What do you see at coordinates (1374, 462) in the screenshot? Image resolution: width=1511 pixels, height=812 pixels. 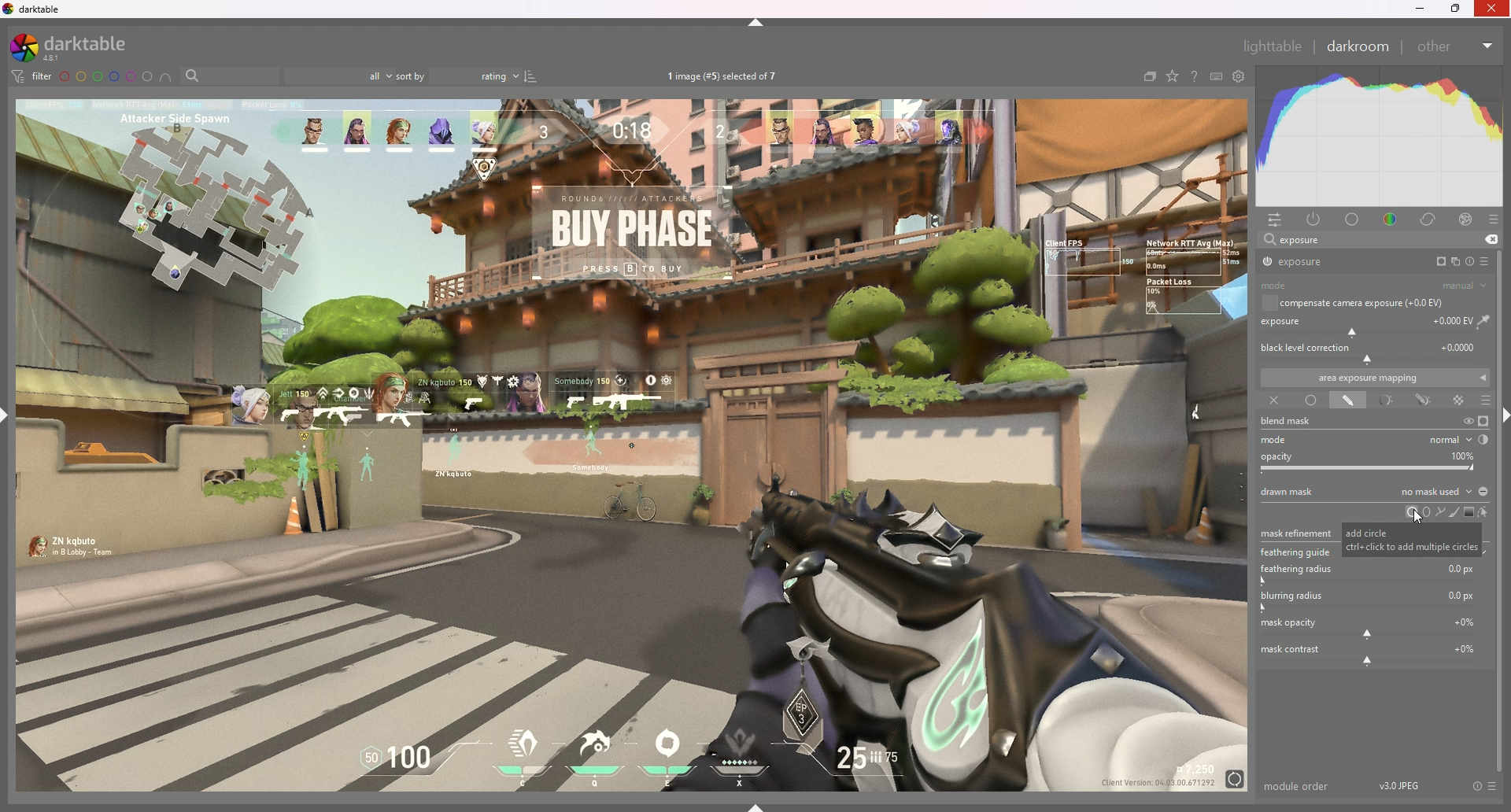 I see `opacity` at bounding box center [1374, 462].